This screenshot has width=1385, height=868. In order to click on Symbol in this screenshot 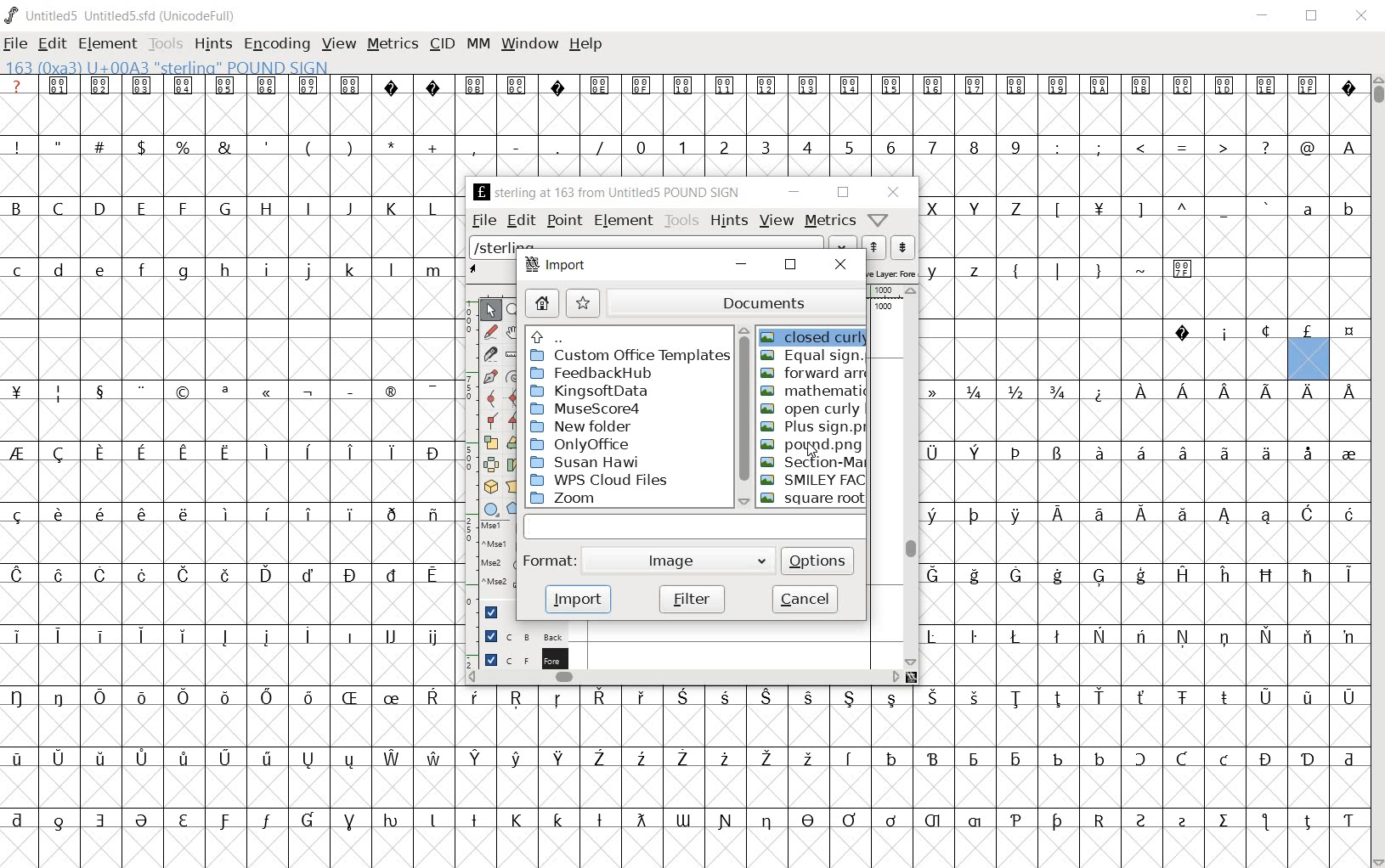, I will do `click(1098, 392)`.